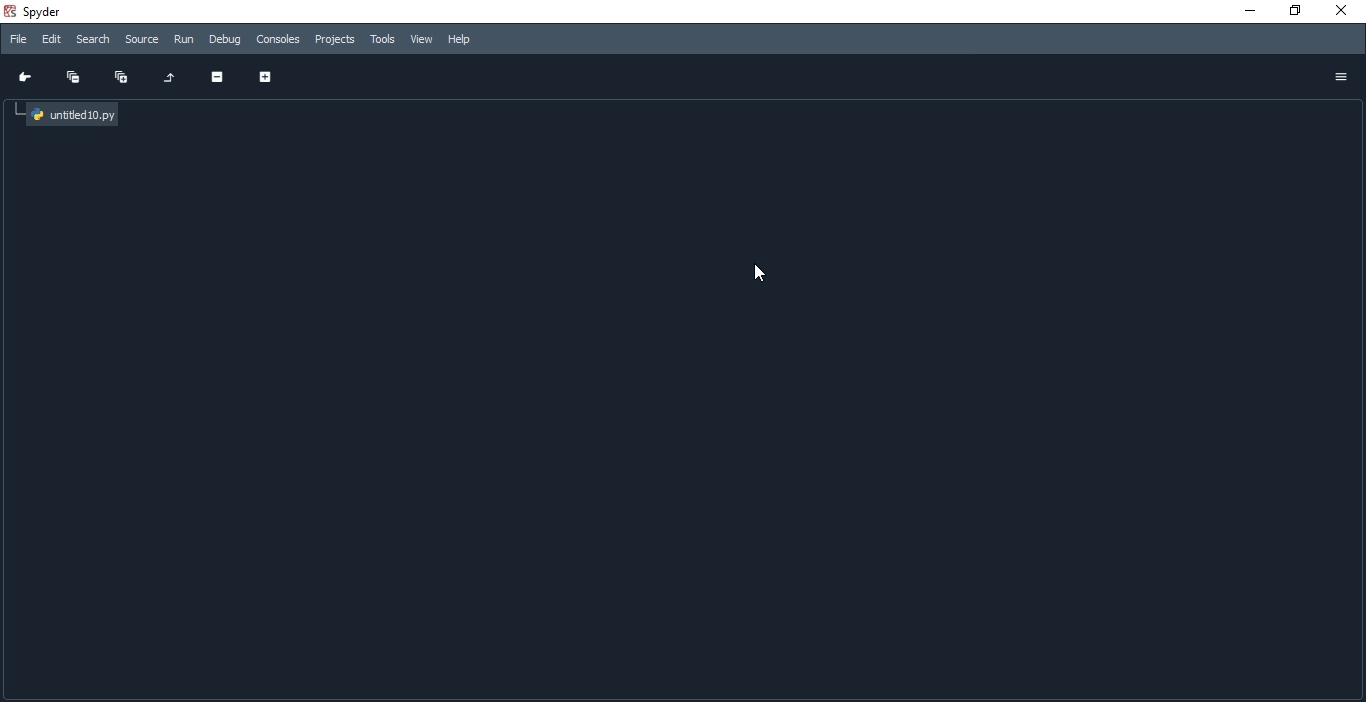 The height and width of the screenshot is (702, 1366). What do you see at coordinates (37, 11) in the screenshot?
I see `spyder Desktop Icon` at bounding box center [37, 11].